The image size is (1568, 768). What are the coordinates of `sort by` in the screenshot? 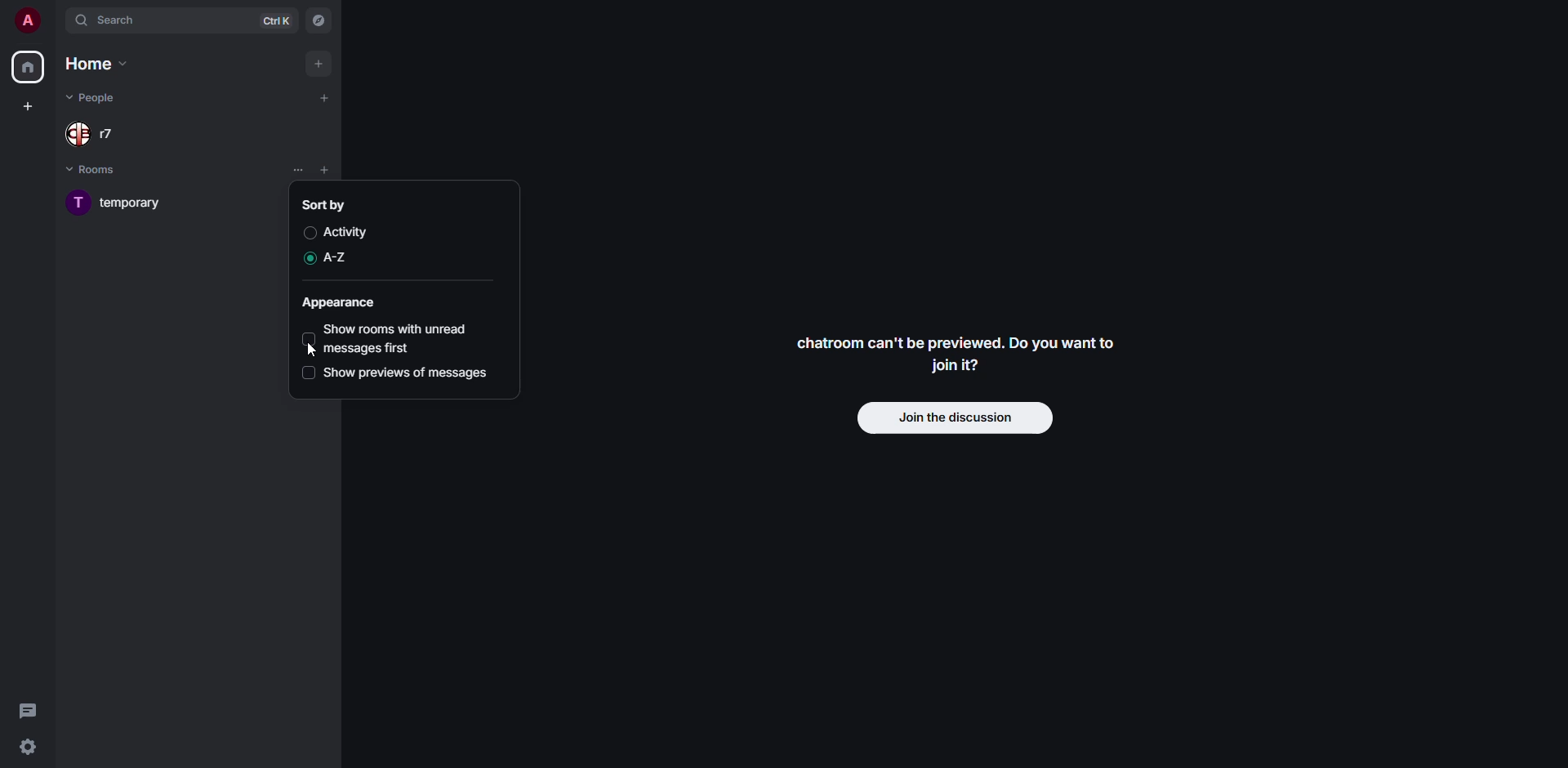 It's located at (324, 203).